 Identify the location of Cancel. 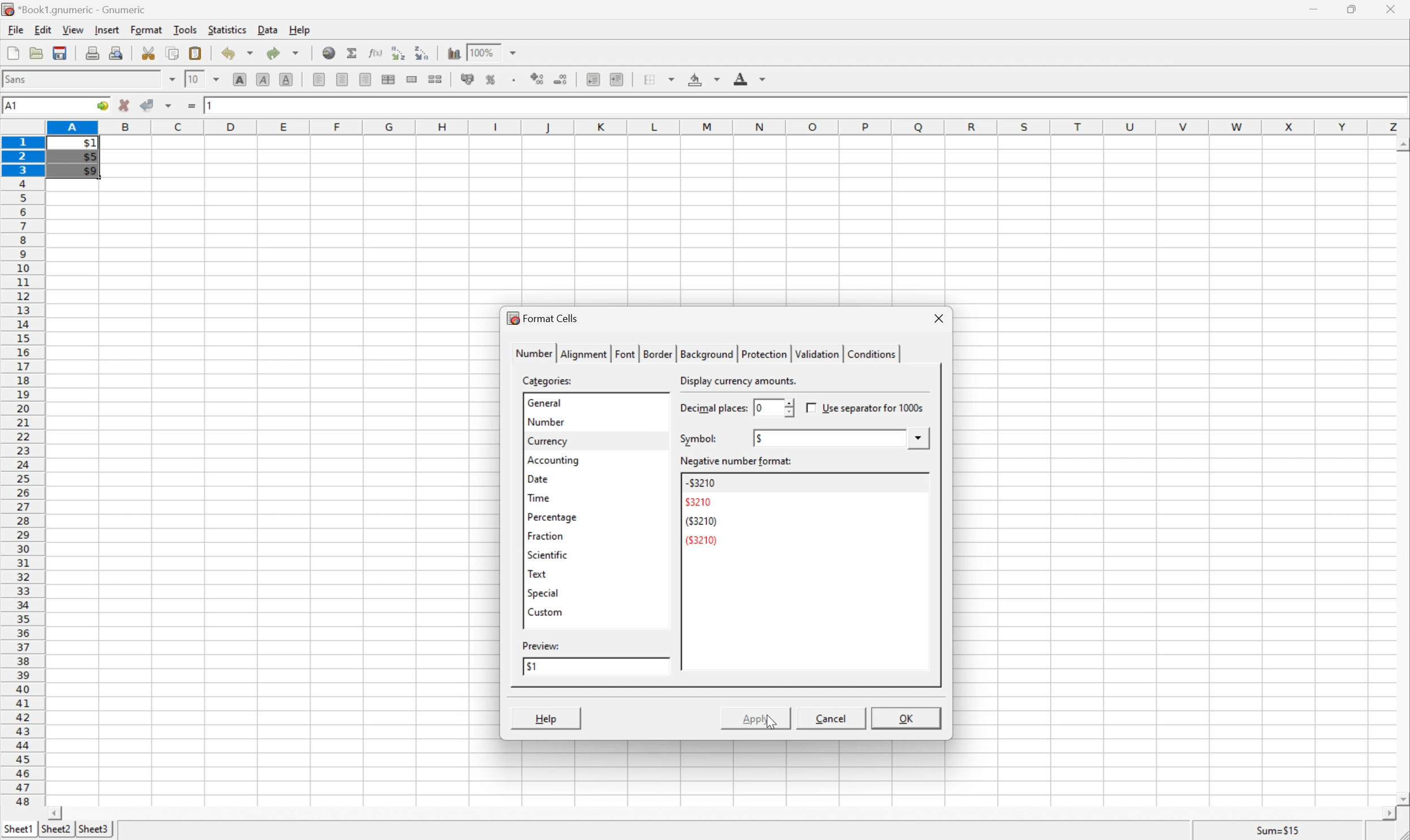
(830, 717).